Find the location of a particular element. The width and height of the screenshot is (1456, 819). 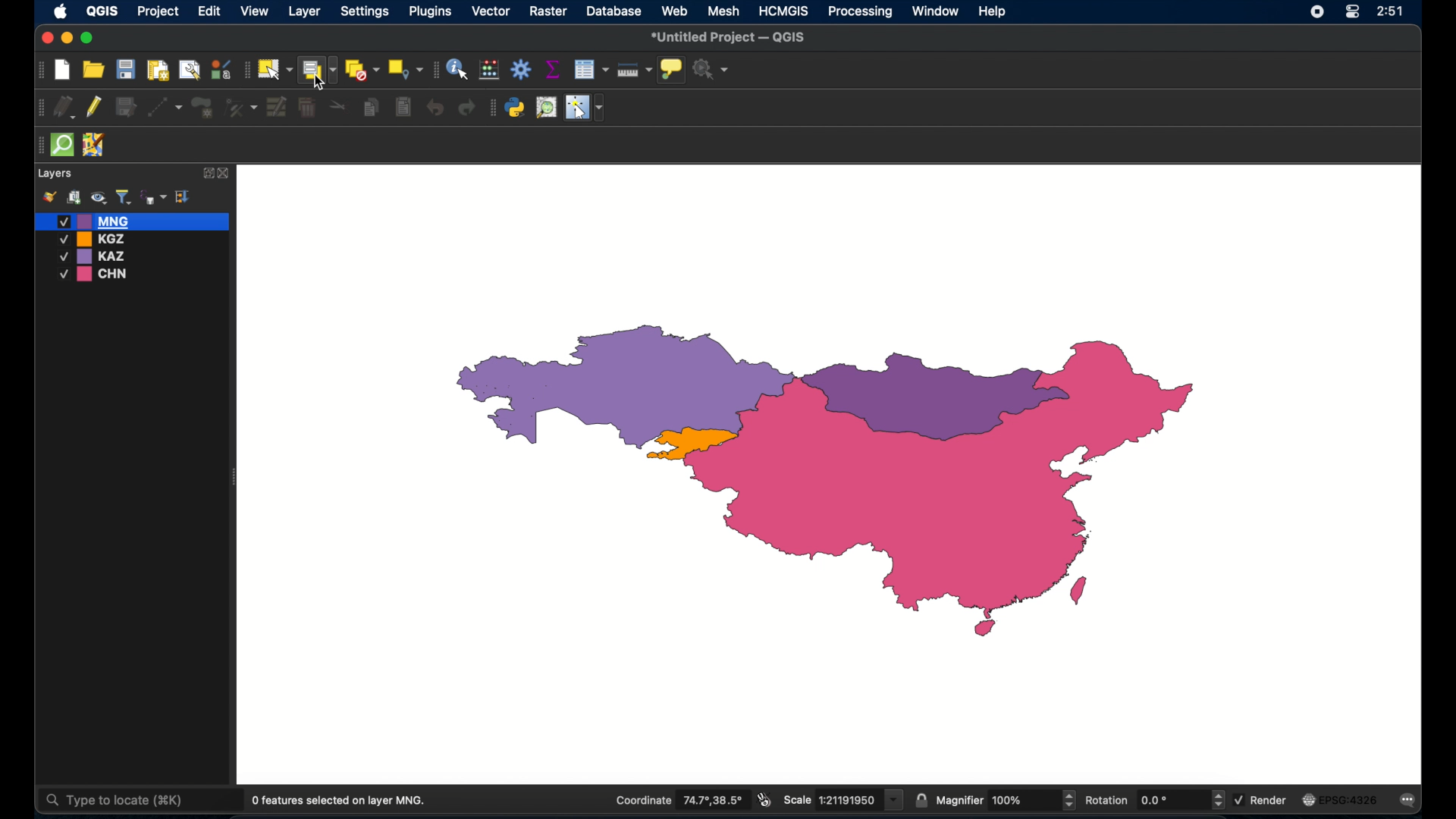

attributes toolbar is located at coordinates (435, 70).